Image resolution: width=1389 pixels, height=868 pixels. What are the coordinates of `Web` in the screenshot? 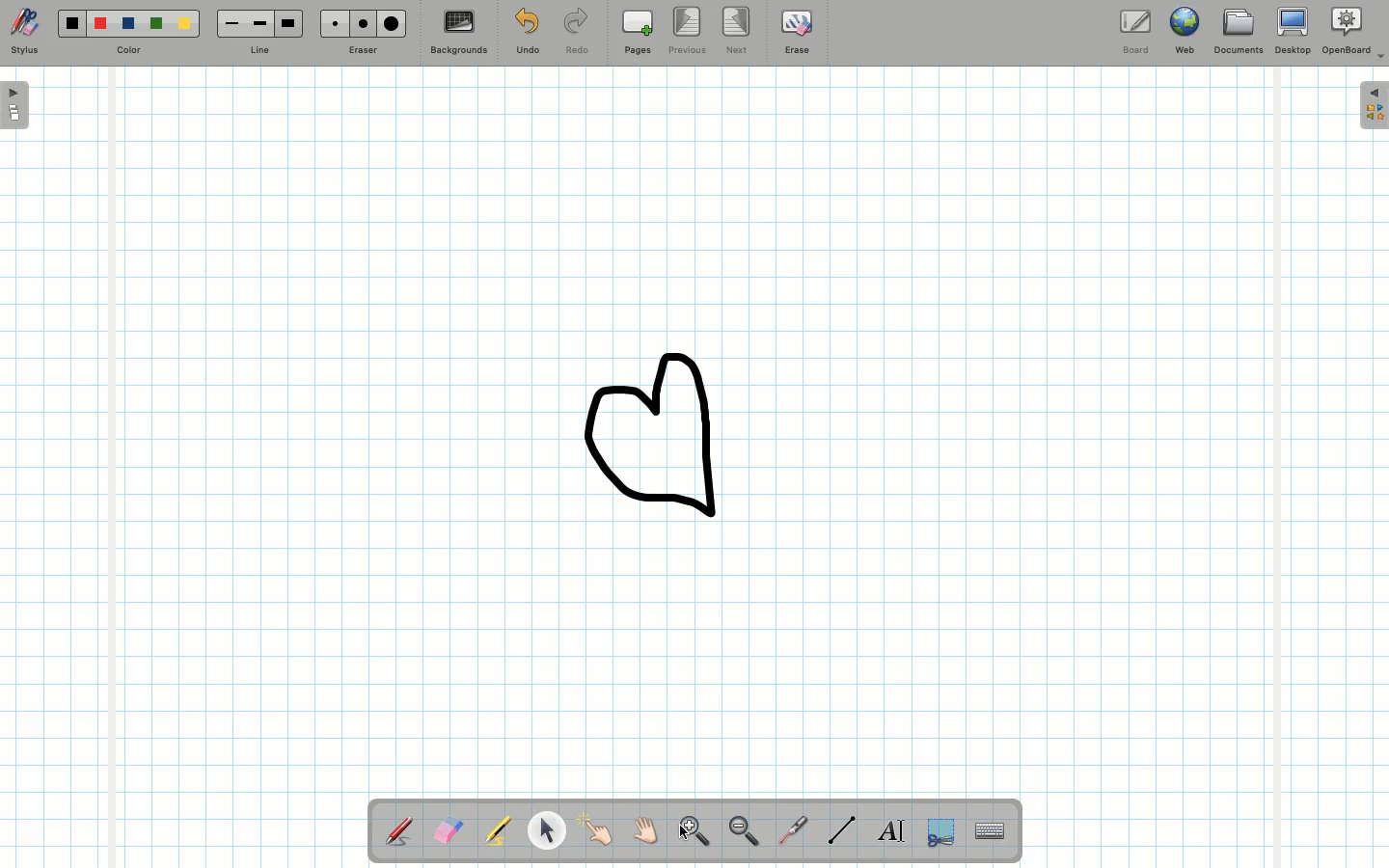 It's located at (1187, 30).